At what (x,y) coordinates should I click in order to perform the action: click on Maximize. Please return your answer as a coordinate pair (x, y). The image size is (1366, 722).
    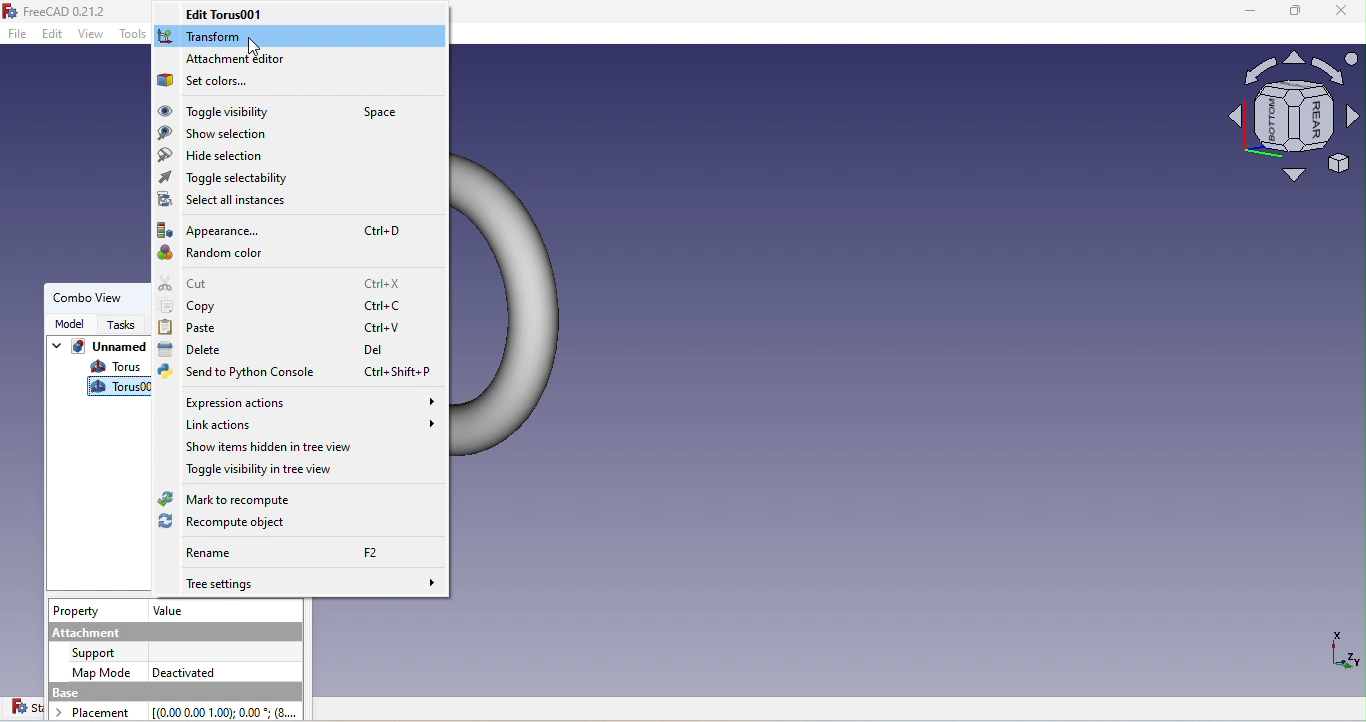
    Looking at the image, I should click on (1293, 15).